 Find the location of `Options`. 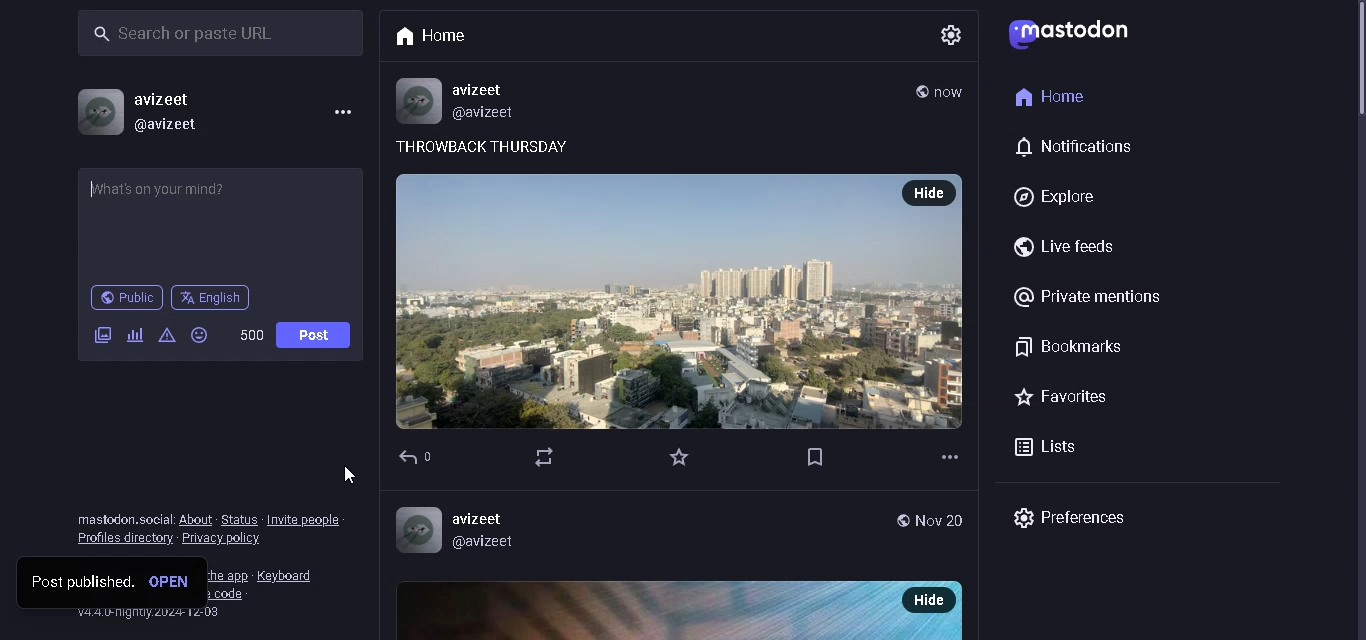

Options is located at coordinates (949, 458).